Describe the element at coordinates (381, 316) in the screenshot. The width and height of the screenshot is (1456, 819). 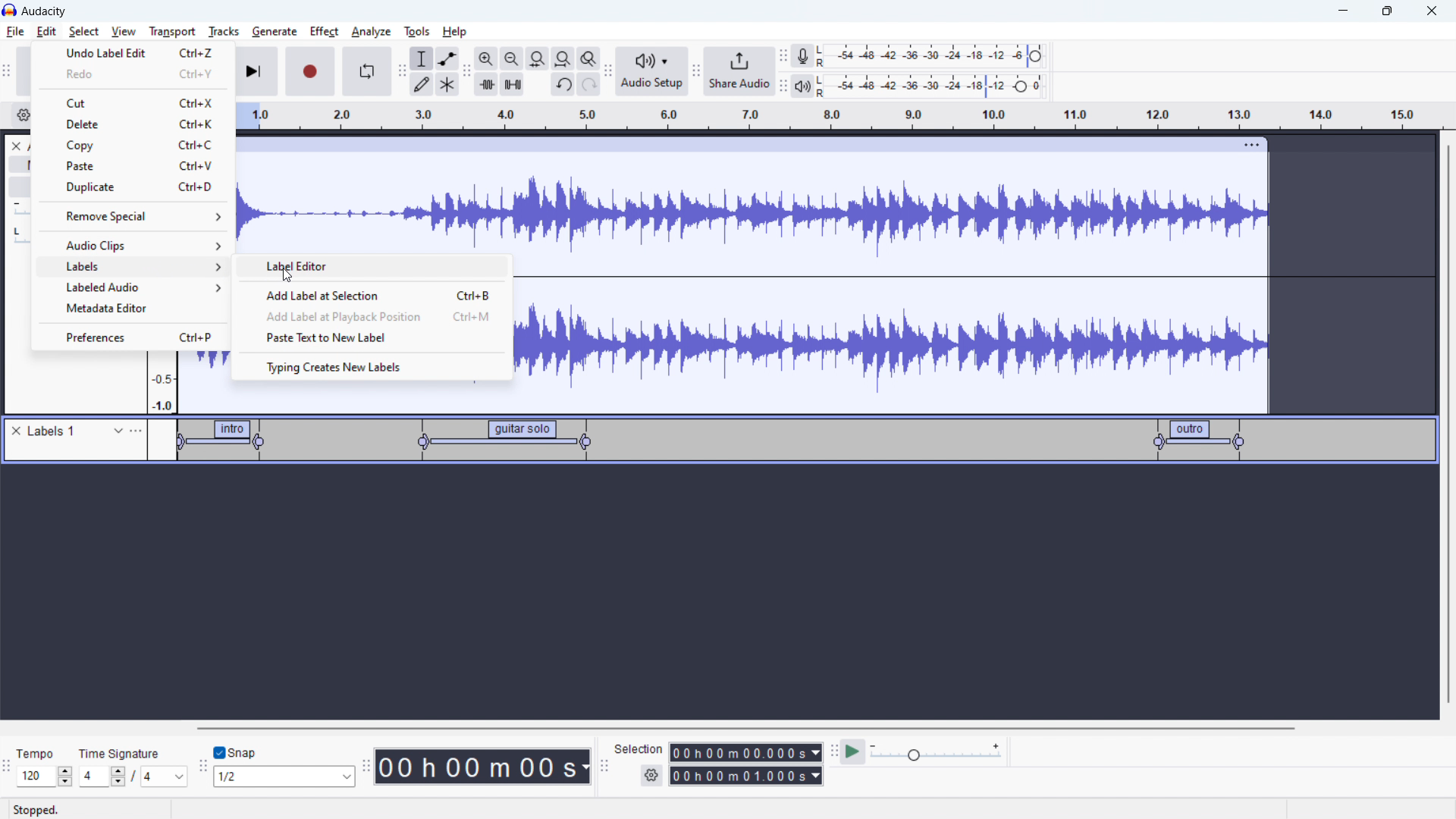
I see `‘Add Label at Playback Position Ctrl+M` at that location.